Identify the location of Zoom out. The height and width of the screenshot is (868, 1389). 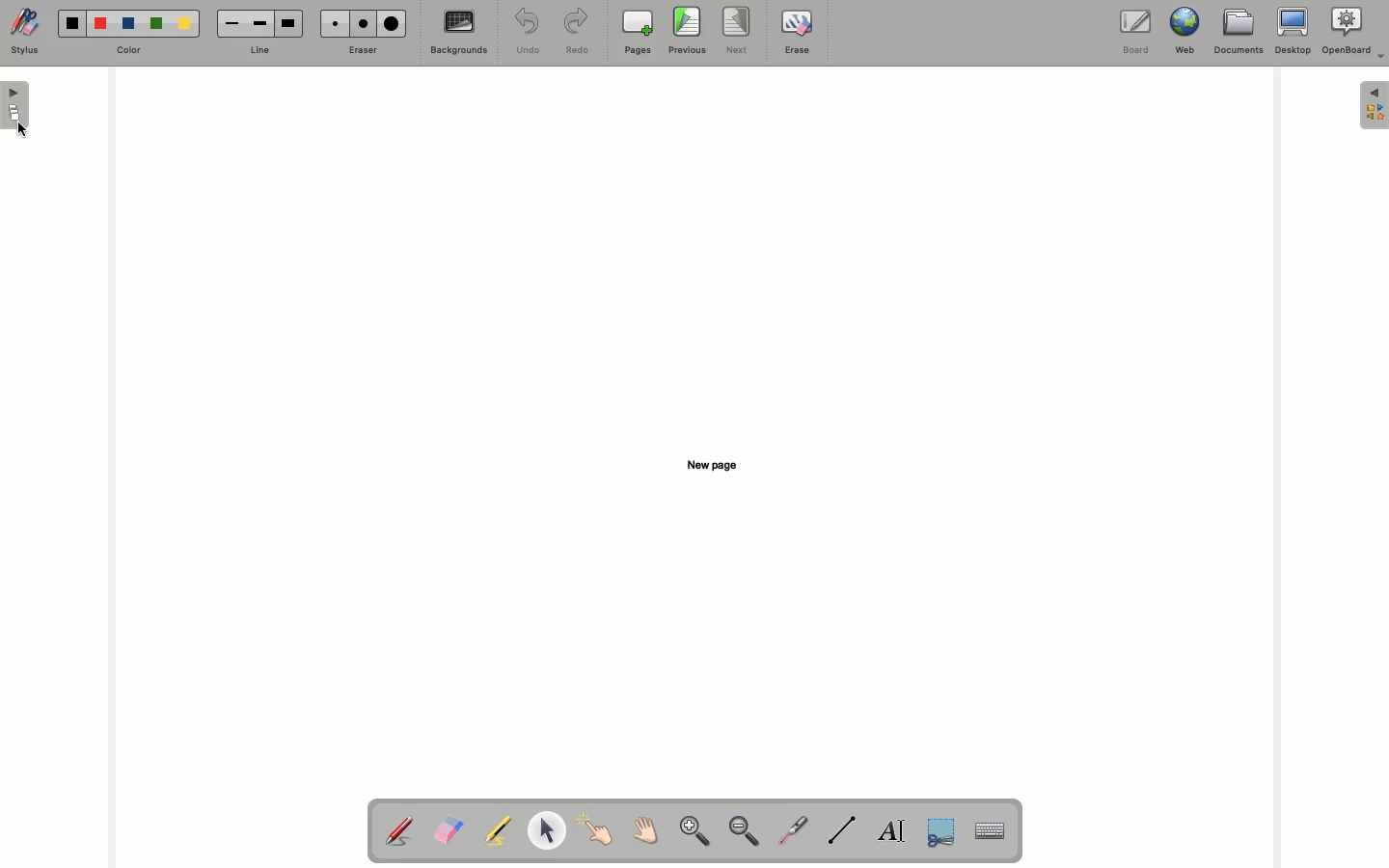
(745, 832).